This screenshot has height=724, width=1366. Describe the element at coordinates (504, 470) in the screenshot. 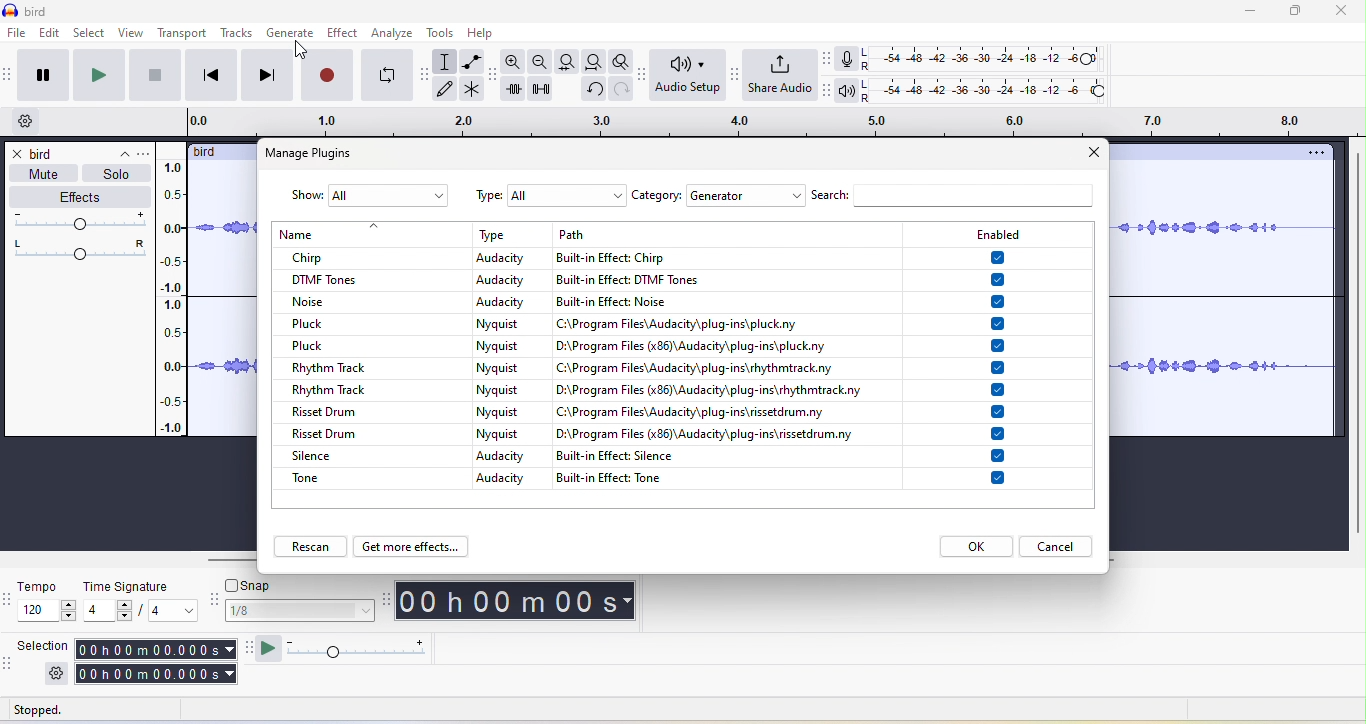

I see `audacity` at that location.